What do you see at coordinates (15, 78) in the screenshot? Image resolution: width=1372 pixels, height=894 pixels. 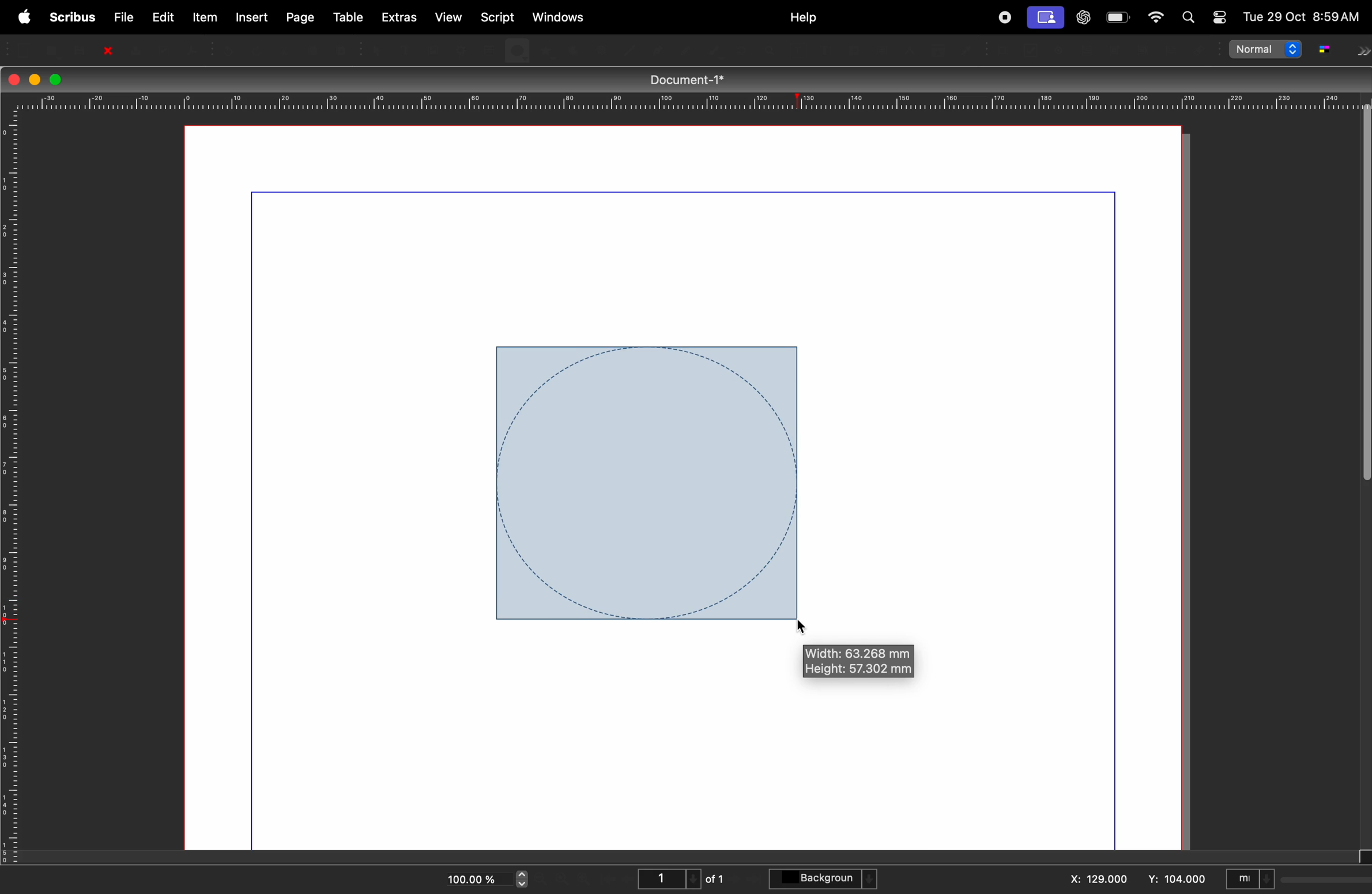 I see `closing window` at bounding box center [15, 78].